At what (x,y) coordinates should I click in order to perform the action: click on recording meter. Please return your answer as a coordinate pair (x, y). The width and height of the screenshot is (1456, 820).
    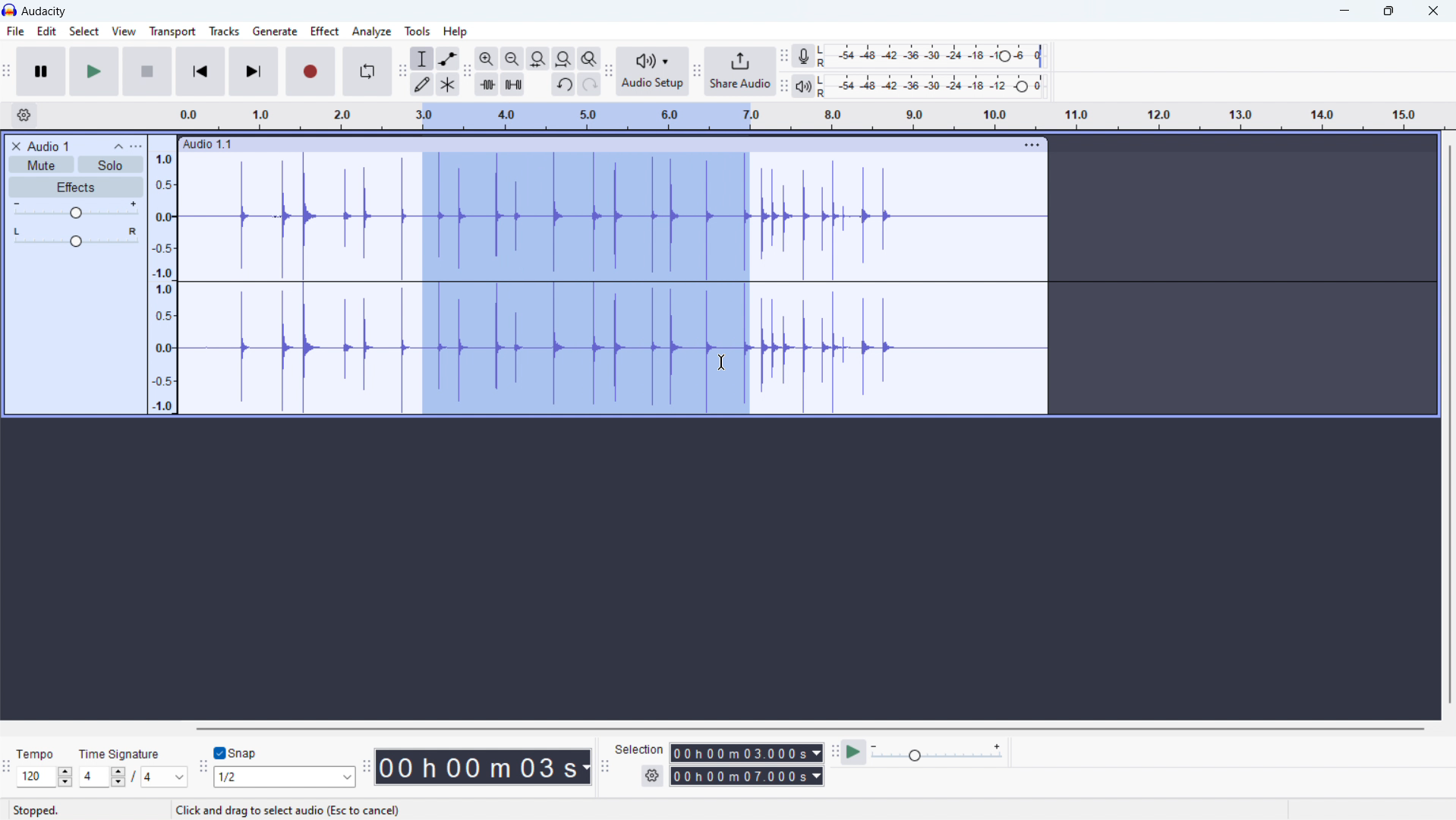
    Looking at the image, I should click on (808, 55).